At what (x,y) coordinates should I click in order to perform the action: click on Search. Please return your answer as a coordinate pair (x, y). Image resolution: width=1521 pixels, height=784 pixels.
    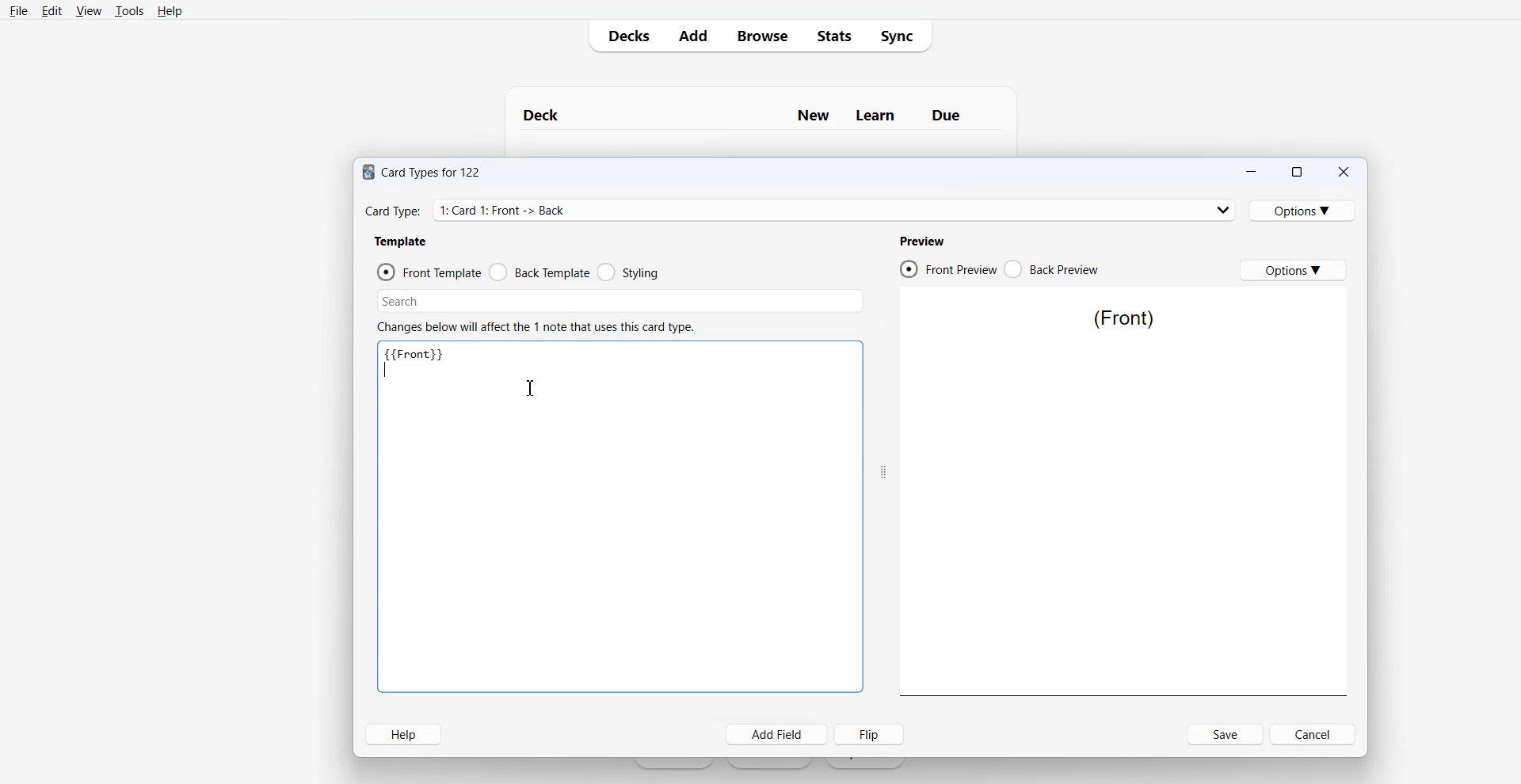
    Looking at the image, I should click on (619, 303).